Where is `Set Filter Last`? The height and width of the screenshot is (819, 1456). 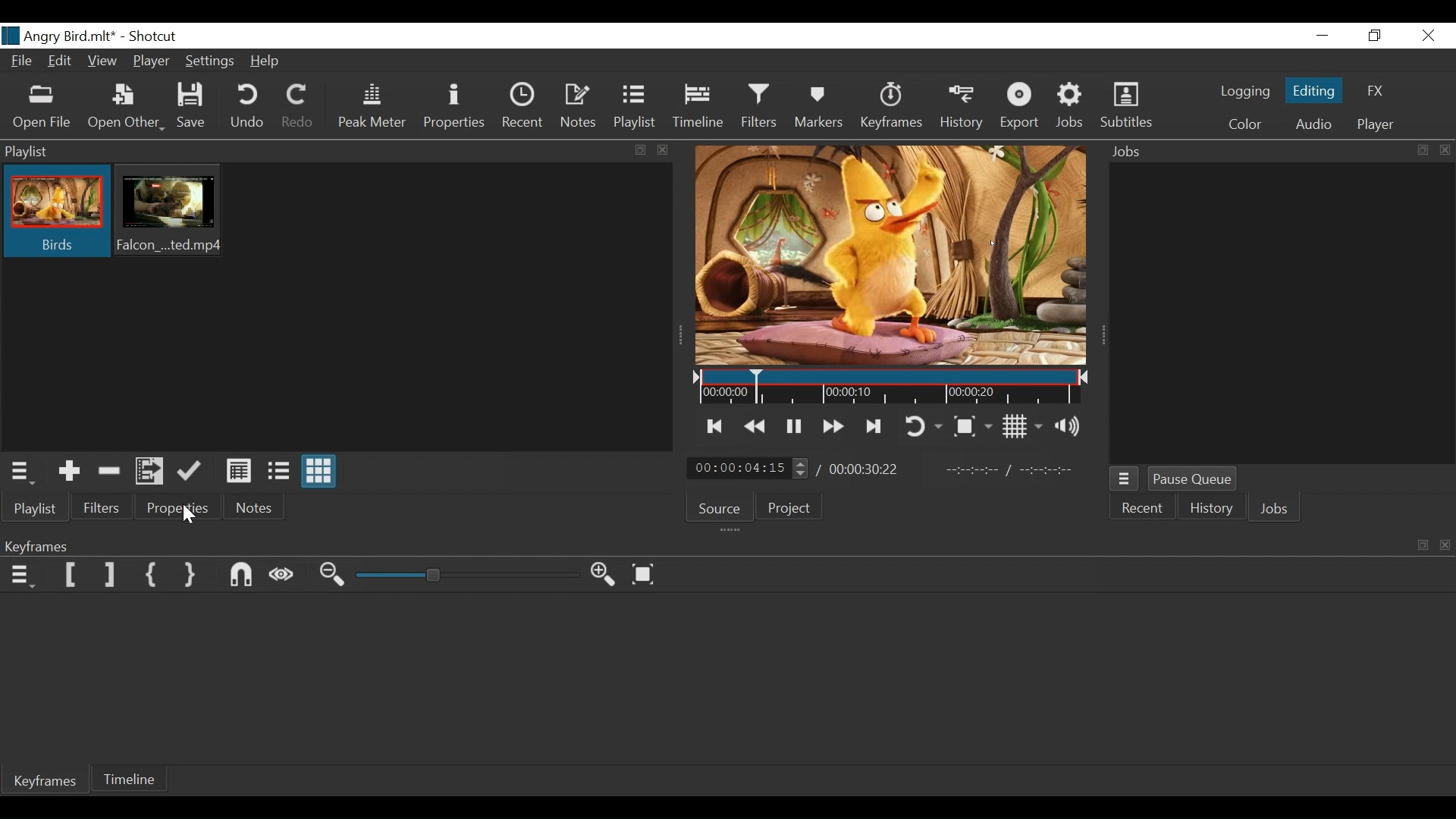 Set Filter Last is located at coordinates (111, 576).